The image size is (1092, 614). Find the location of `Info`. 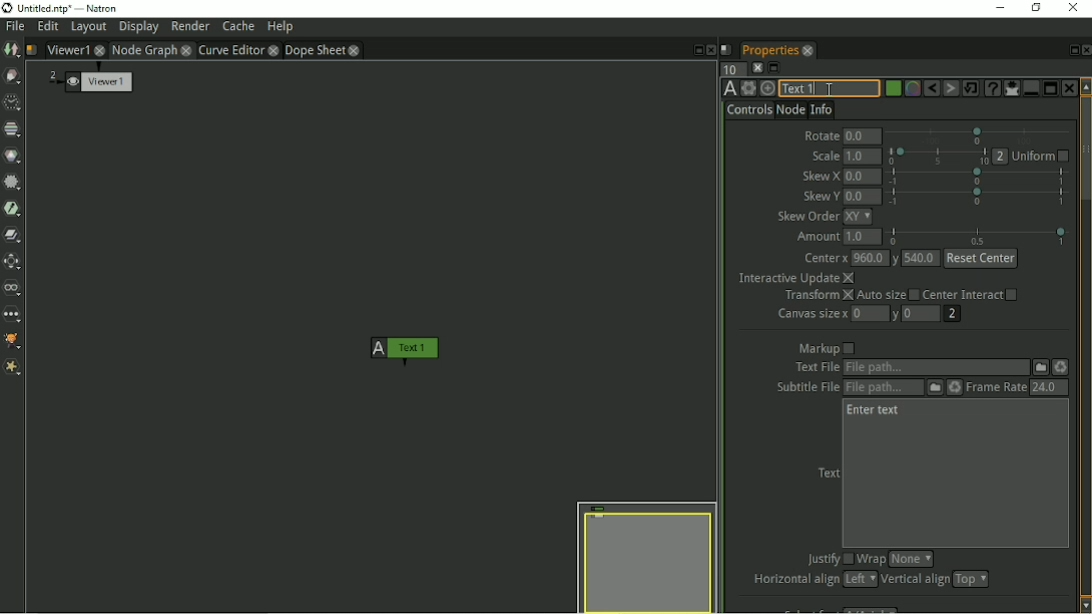

Info is located at coordinates (822, 109).